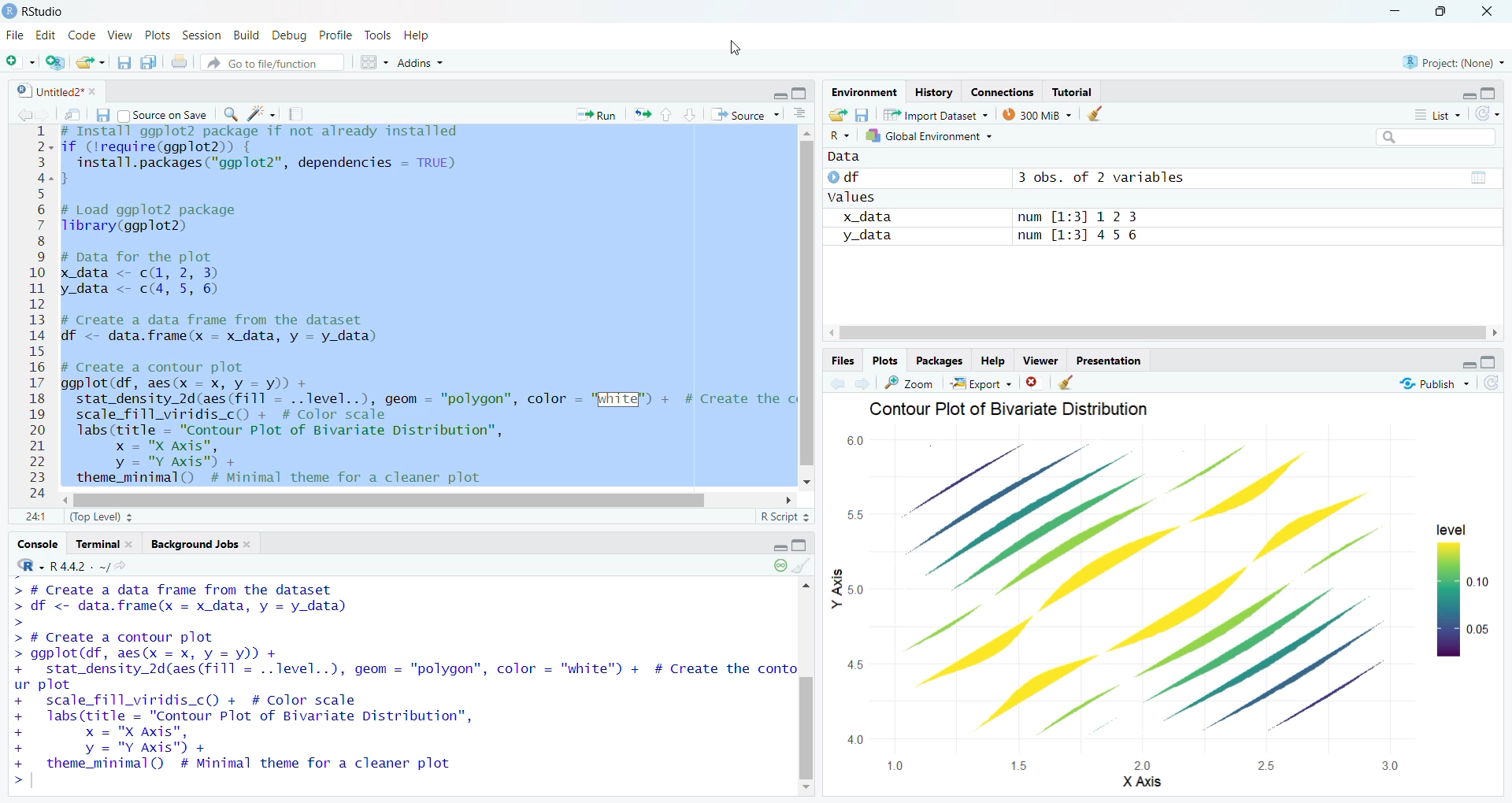  I want to click on Environment, so click(862, 92).